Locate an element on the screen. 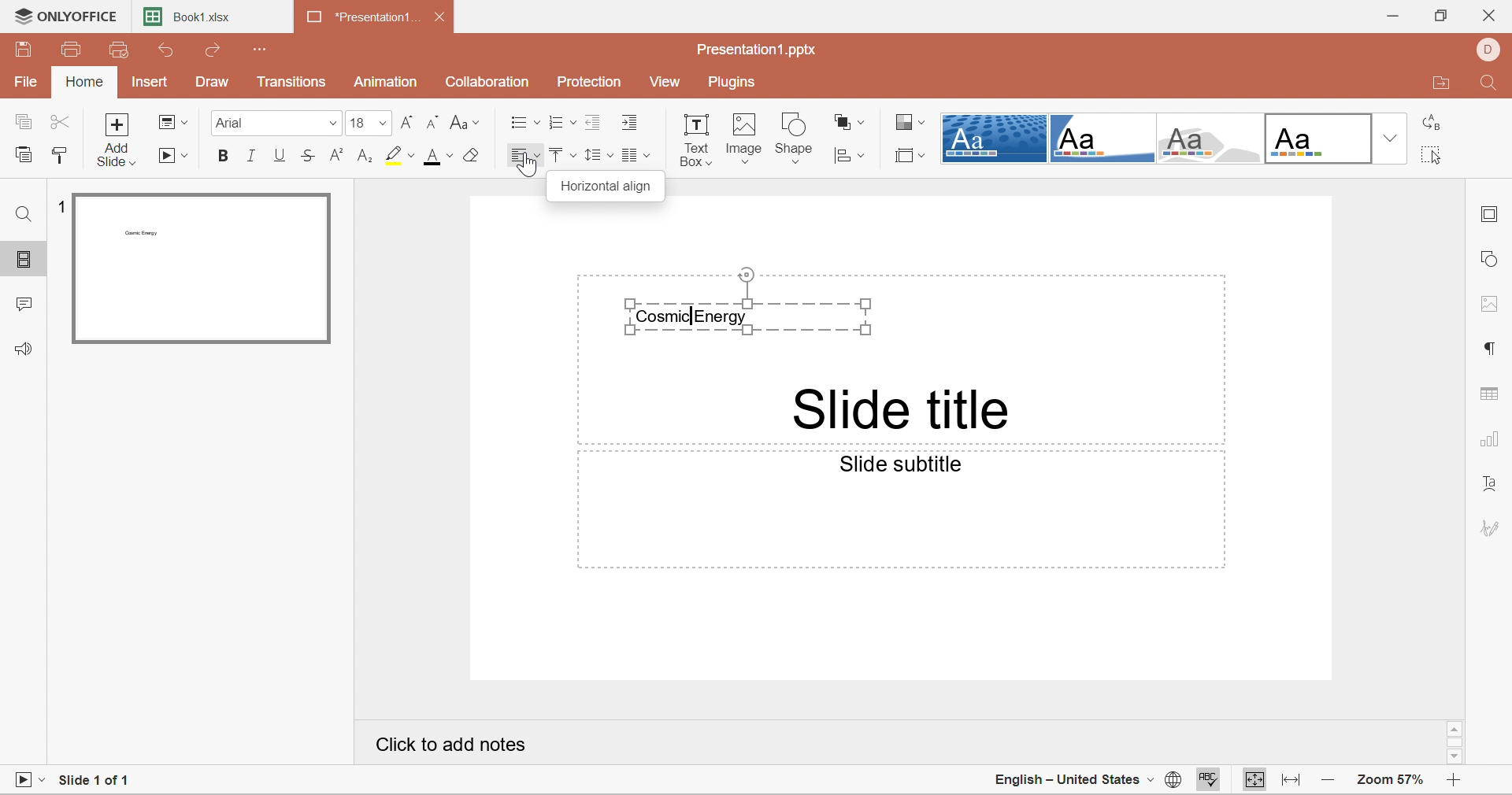 This screenshot has height=795, width=1512. Copy Style is located at coordinates (58, 156).